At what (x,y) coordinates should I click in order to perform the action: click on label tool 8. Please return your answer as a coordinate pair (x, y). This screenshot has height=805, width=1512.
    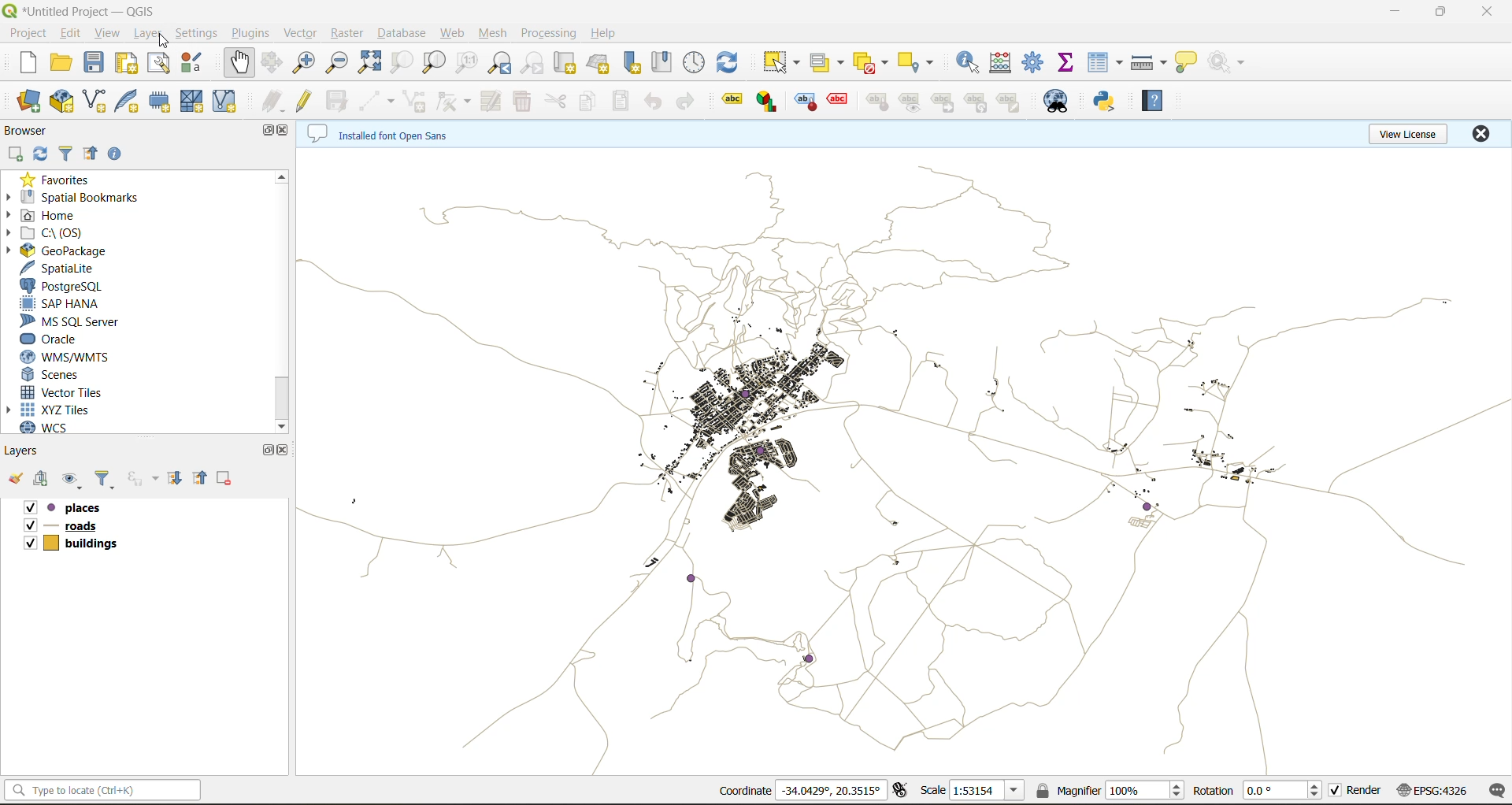
    Looking at the image, I should click on (977, 105).